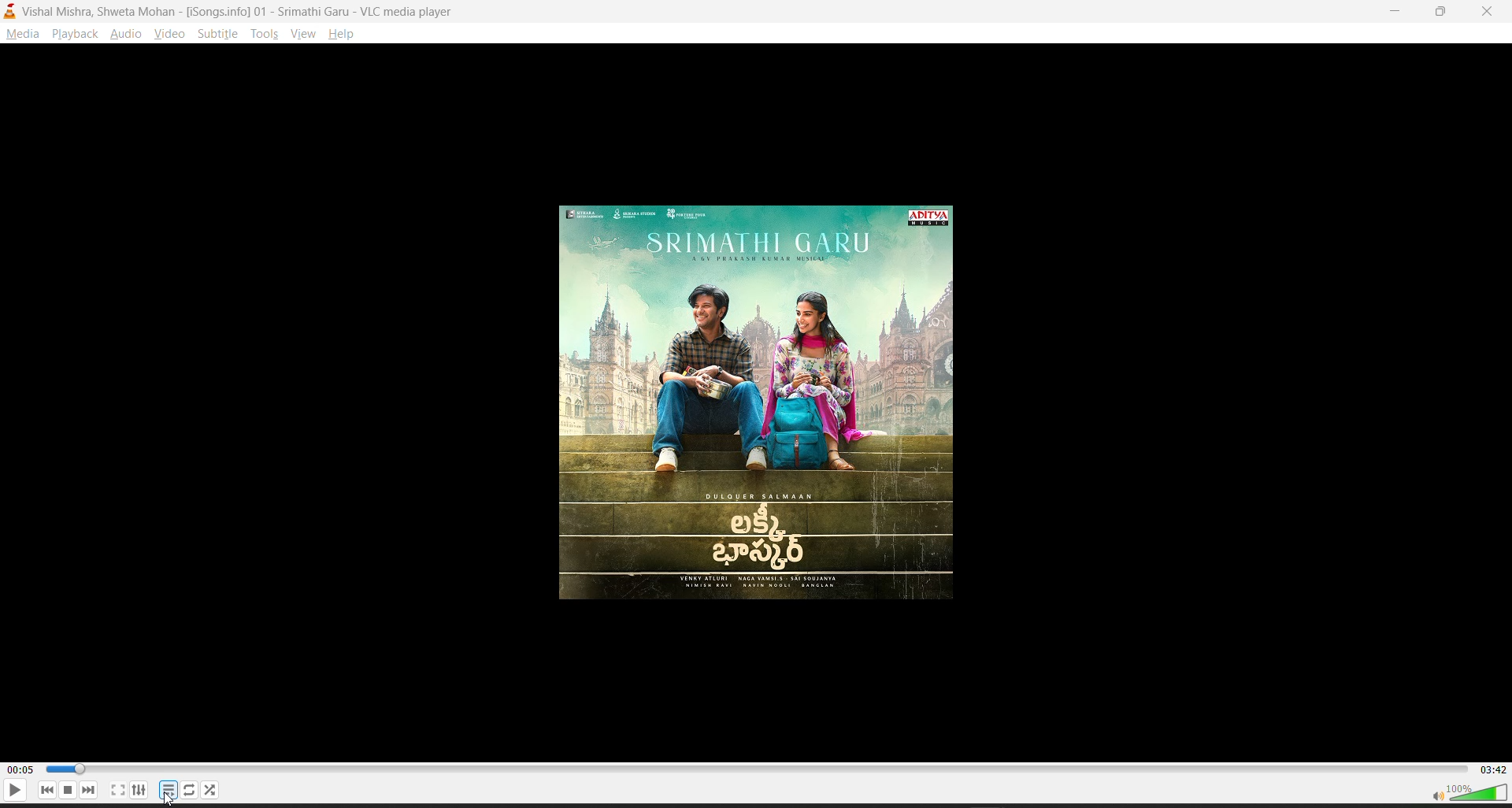  Describe the element at coordinates (1496, 769) in the screenshot. I see `total track time` at that location.